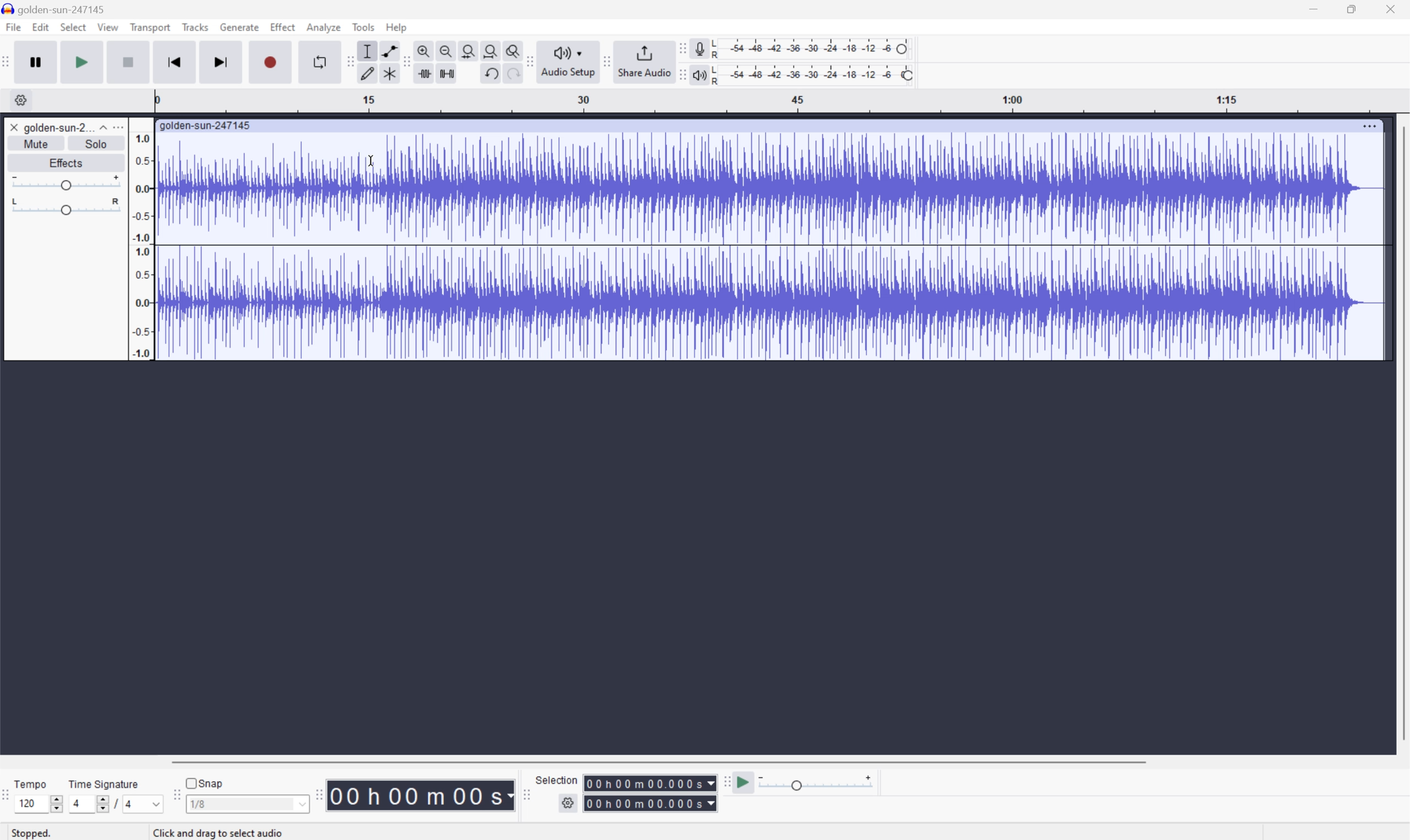 This screenshot has width=1410, height=840. I want to click on settings, so click(20, 100).